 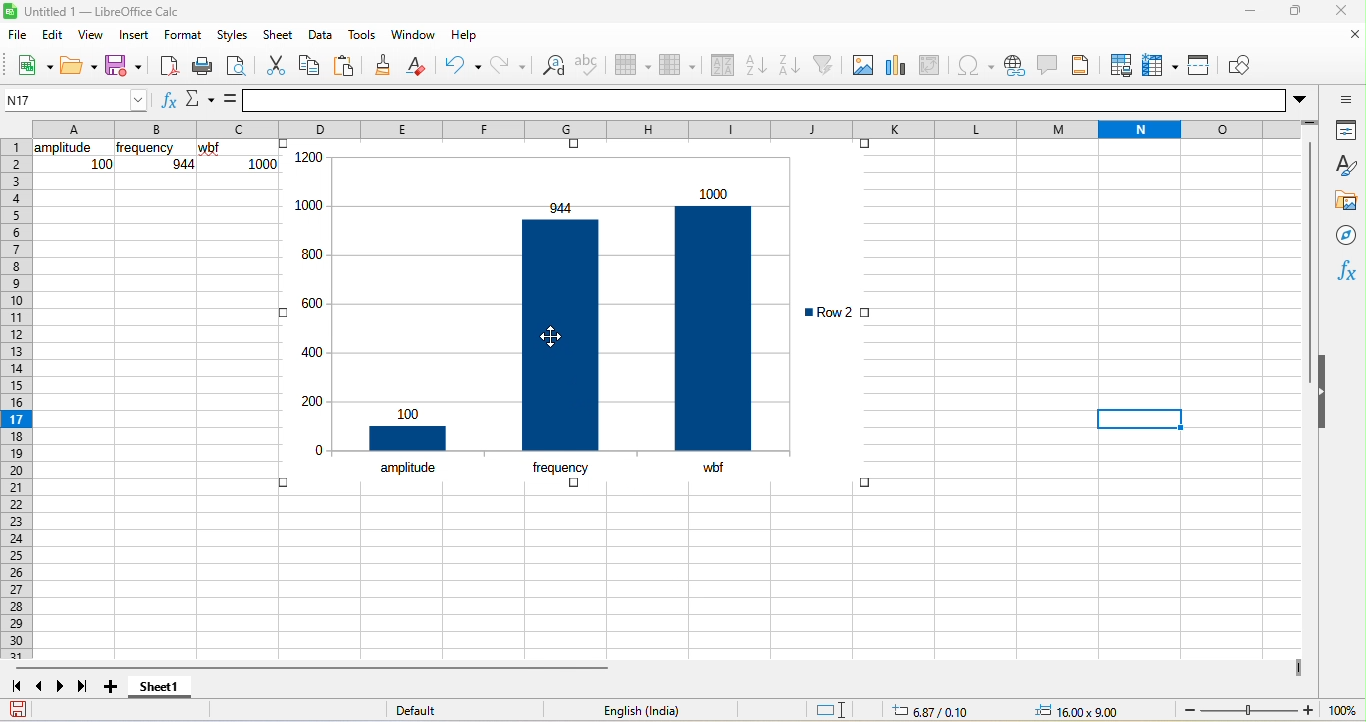 I want to click on freeze row and column, so click(x=1162, y=64).